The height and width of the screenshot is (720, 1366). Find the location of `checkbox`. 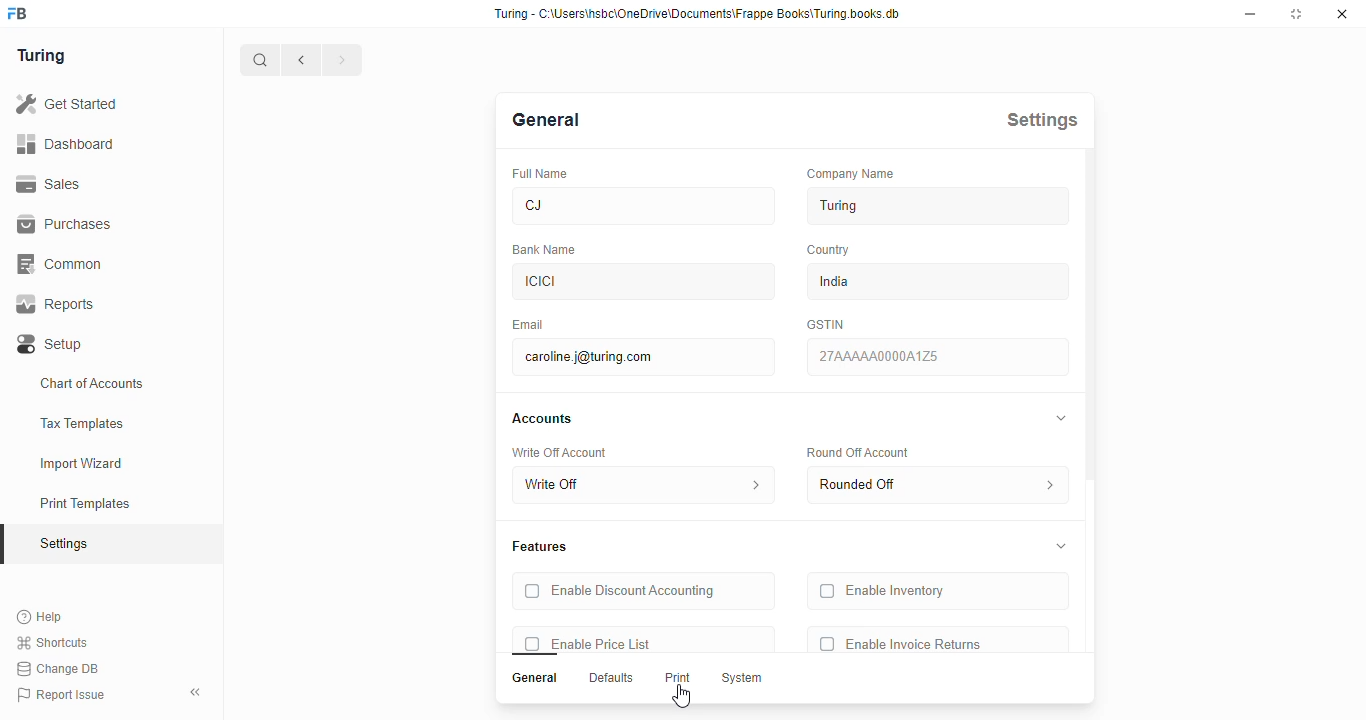

checkbox is located at coordinates (828, 591).